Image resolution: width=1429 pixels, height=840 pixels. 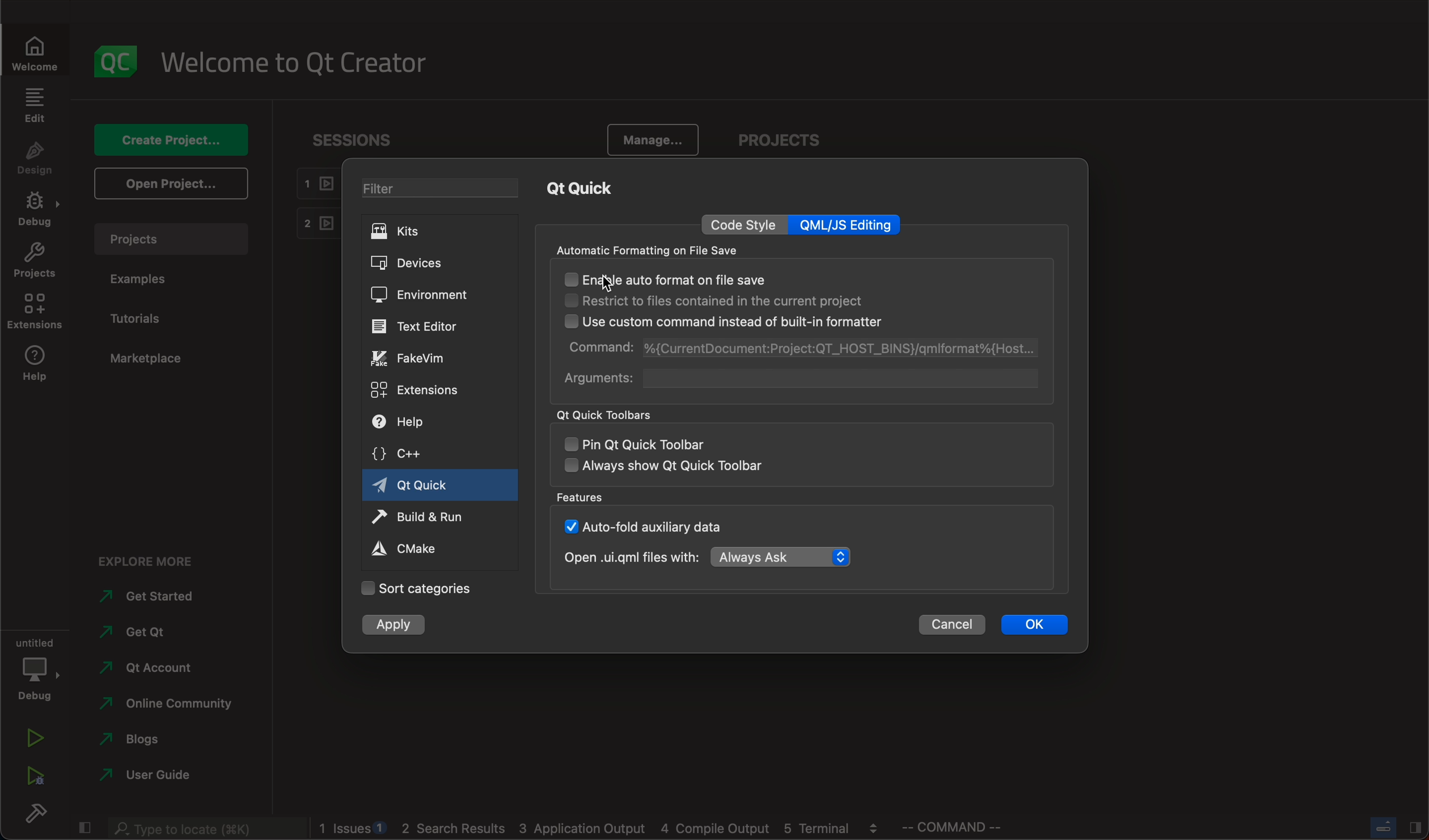 What do you see at coordinates (138, 740) in the screenshot?
I see `blogs` at bounding box center [138, 740].